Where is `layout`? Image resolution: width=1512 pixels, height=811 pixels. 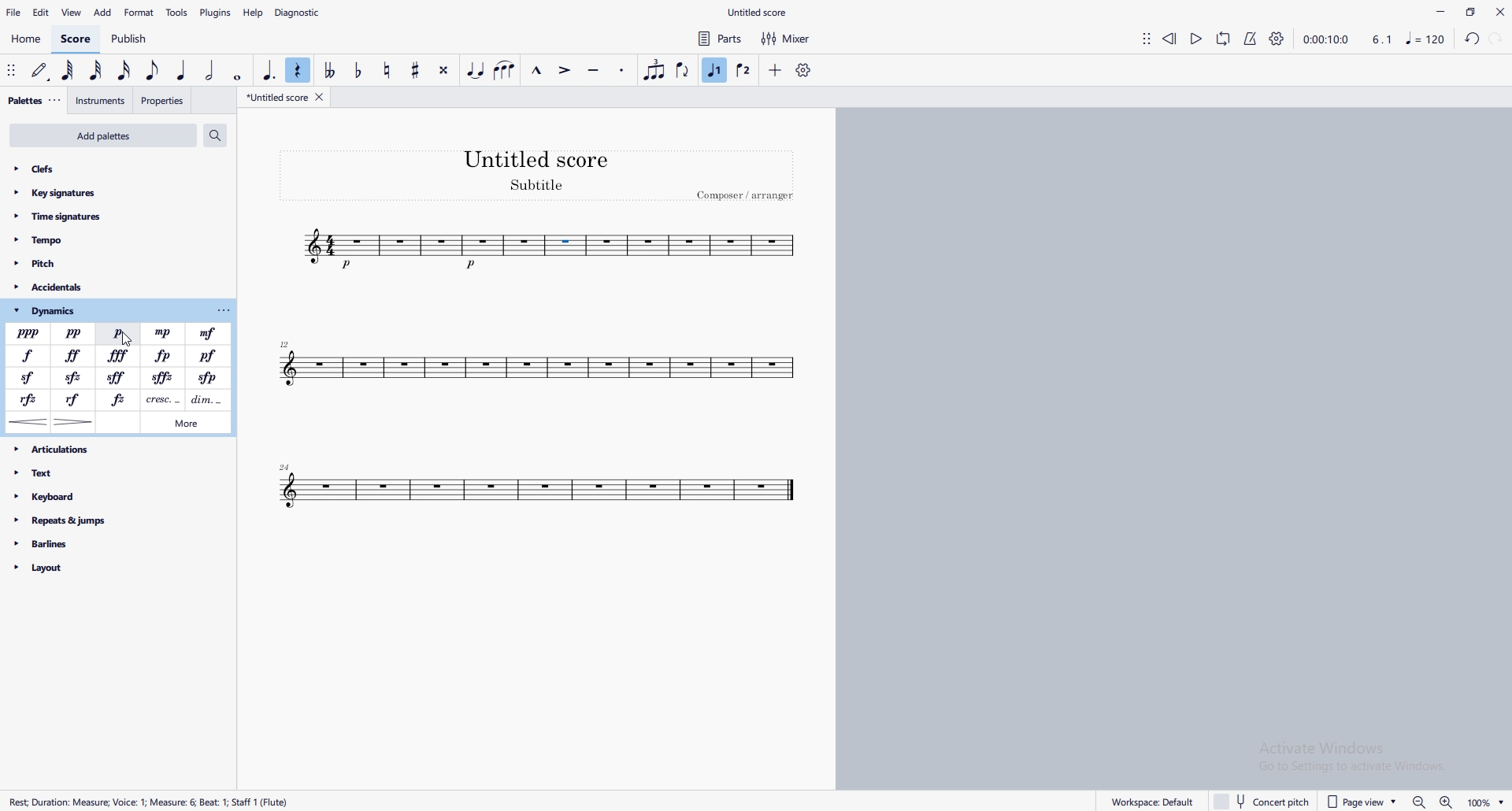 layout is located at coordinates (98, 571).